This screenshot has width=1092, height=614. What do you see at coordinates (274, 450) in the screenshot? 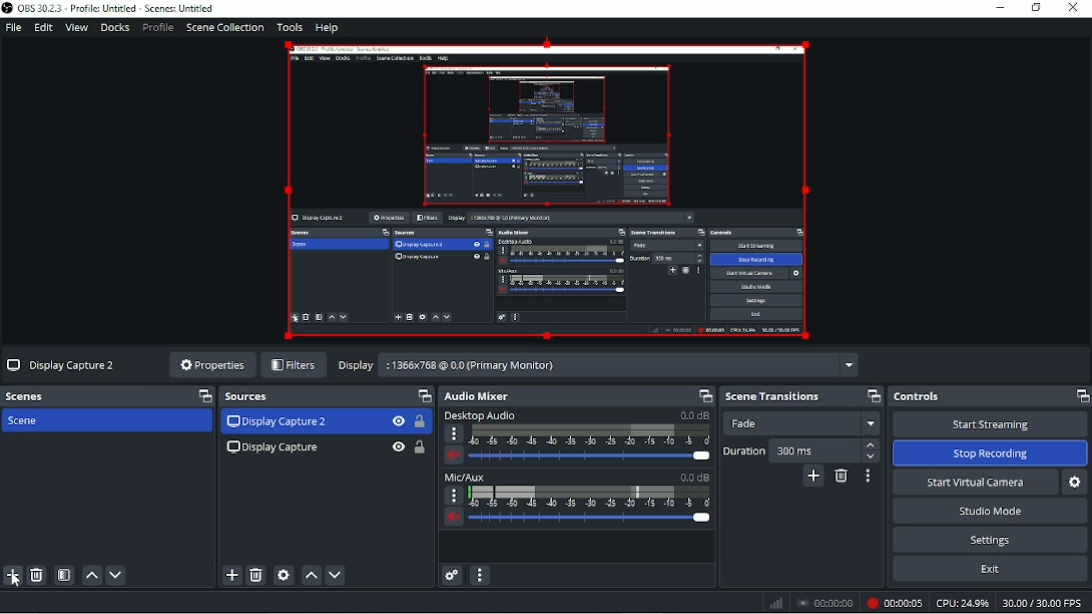
I see `Display Capture ` at bounding box center [274, 450].